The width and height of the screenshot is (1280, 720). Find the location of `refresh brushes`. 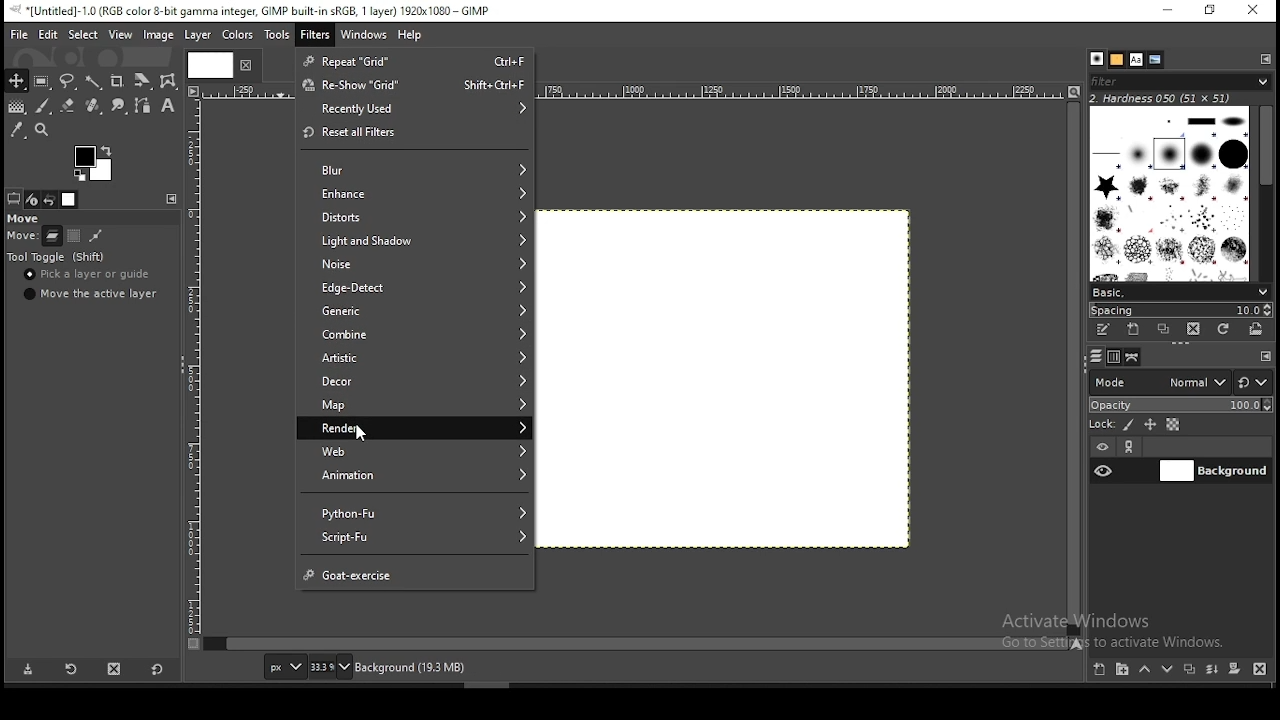

refresh brushes is located at coordinates (1224, 330).